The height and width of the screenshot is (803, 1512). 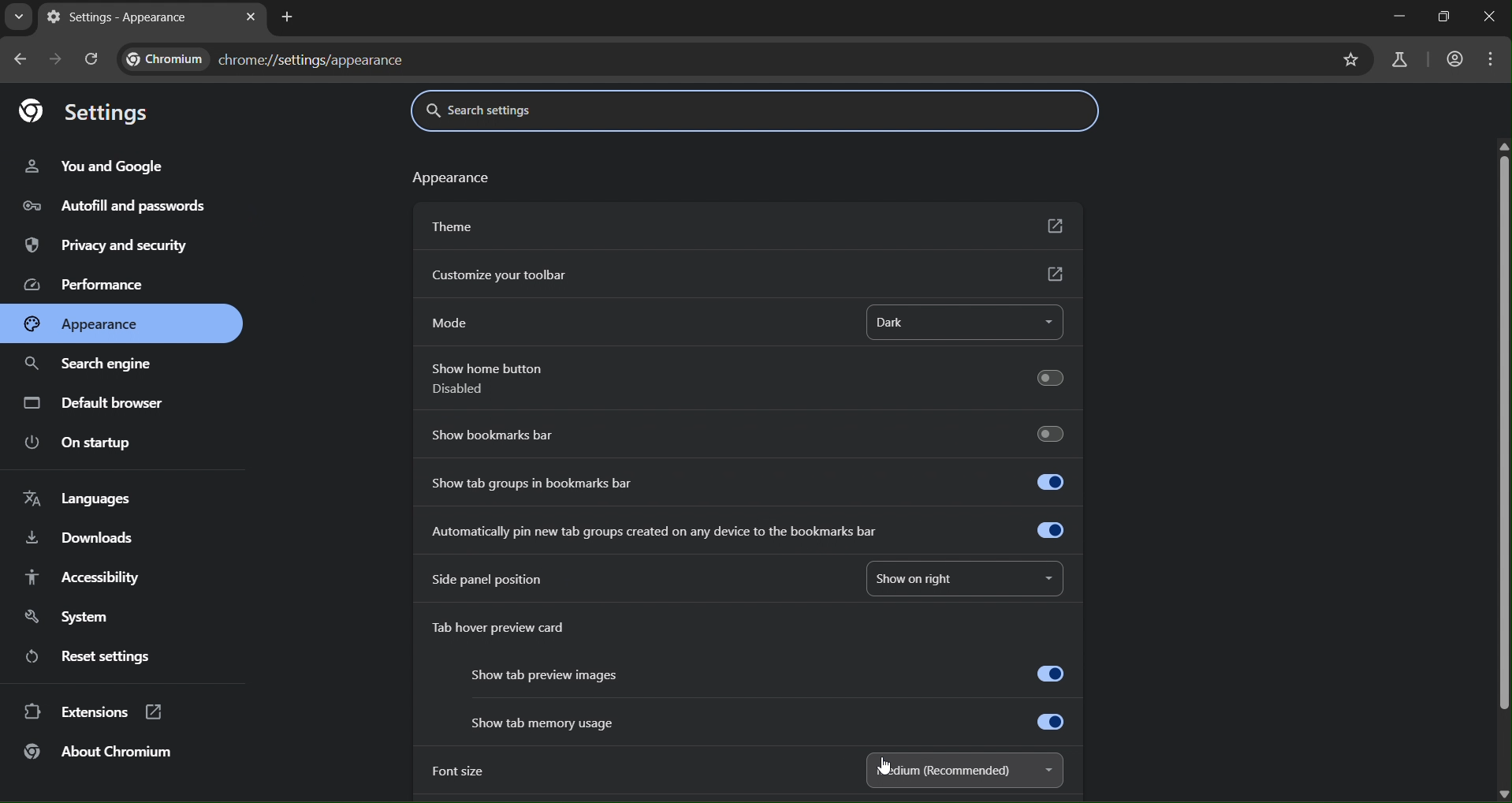 What do you see at coordinates (94, 110) in the screenshot?
I see `settings` at bounding box center [94, 110].